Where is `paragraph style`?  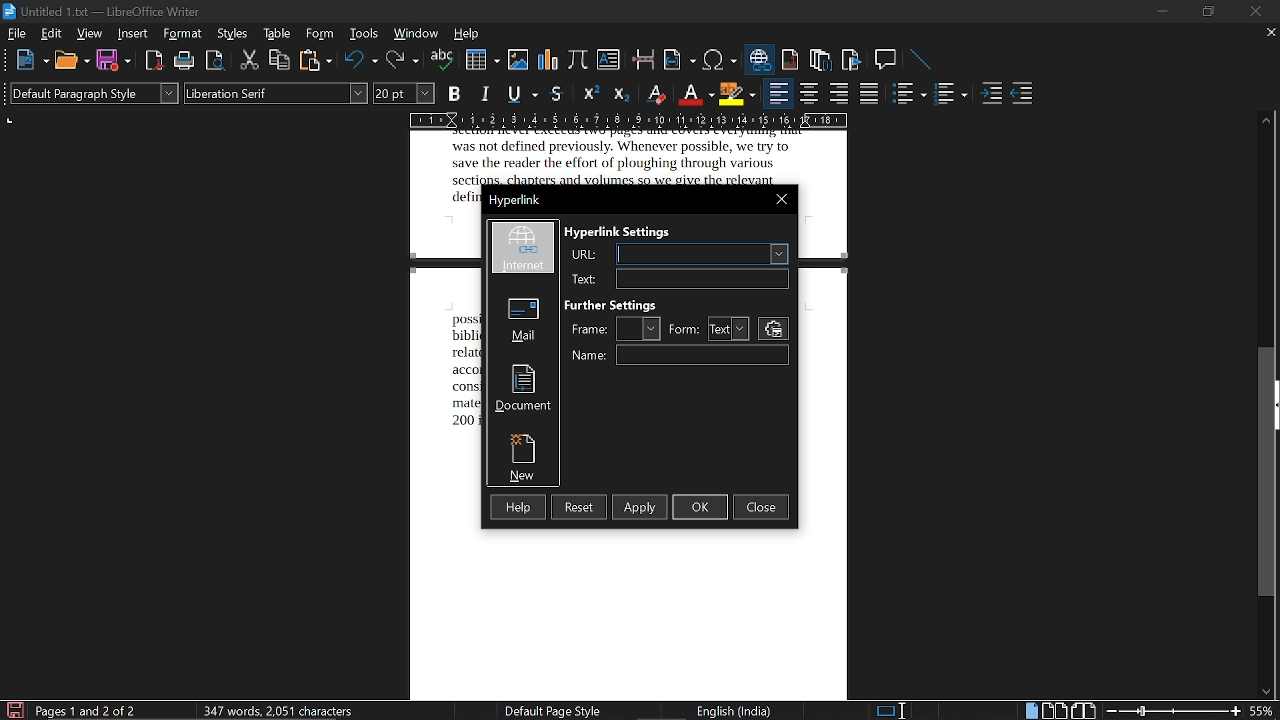
paragraph style is located at coordinates (95, 93).